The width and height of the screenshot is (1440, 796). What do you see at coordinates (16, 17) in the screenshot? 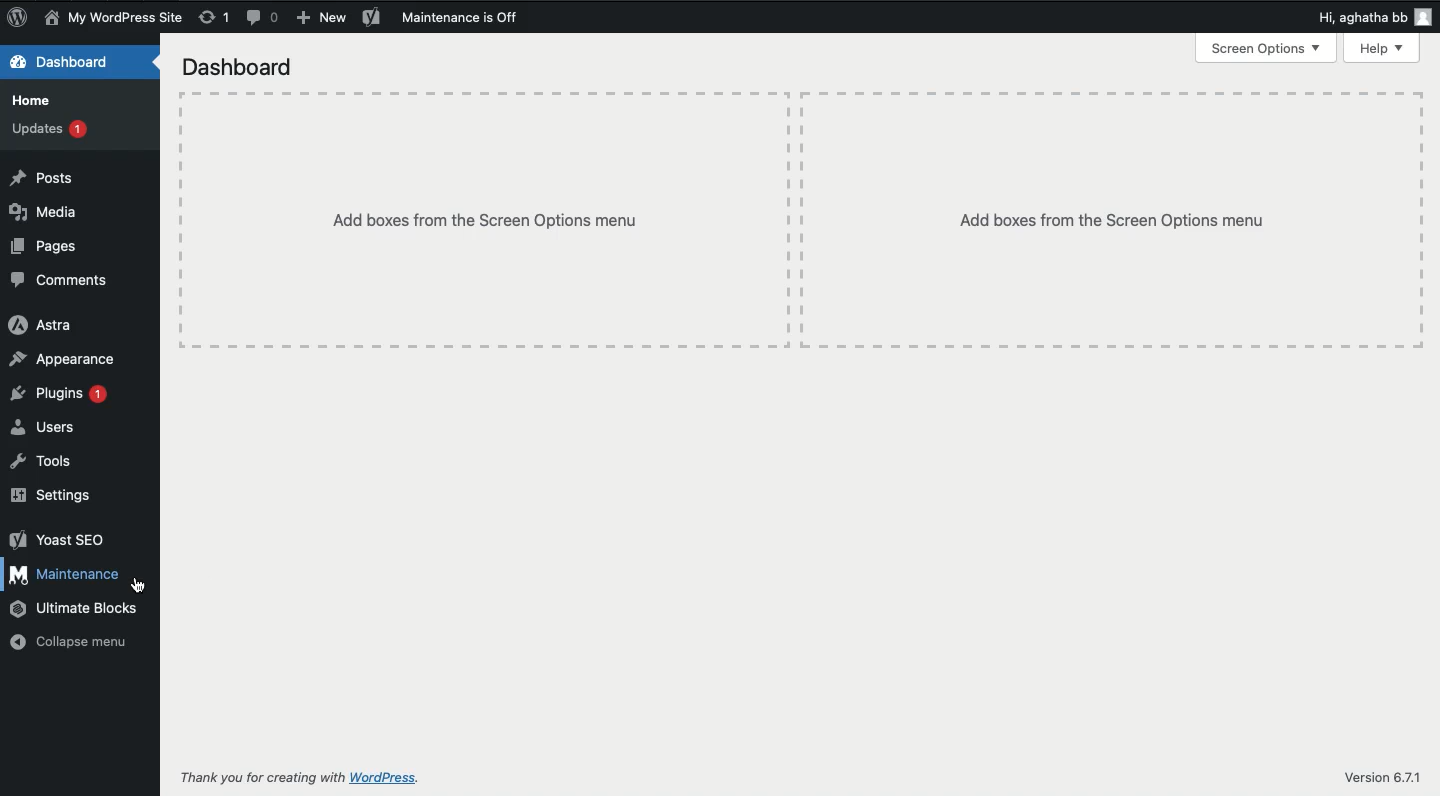
I see `Logo` at bounding box center [16, 17].